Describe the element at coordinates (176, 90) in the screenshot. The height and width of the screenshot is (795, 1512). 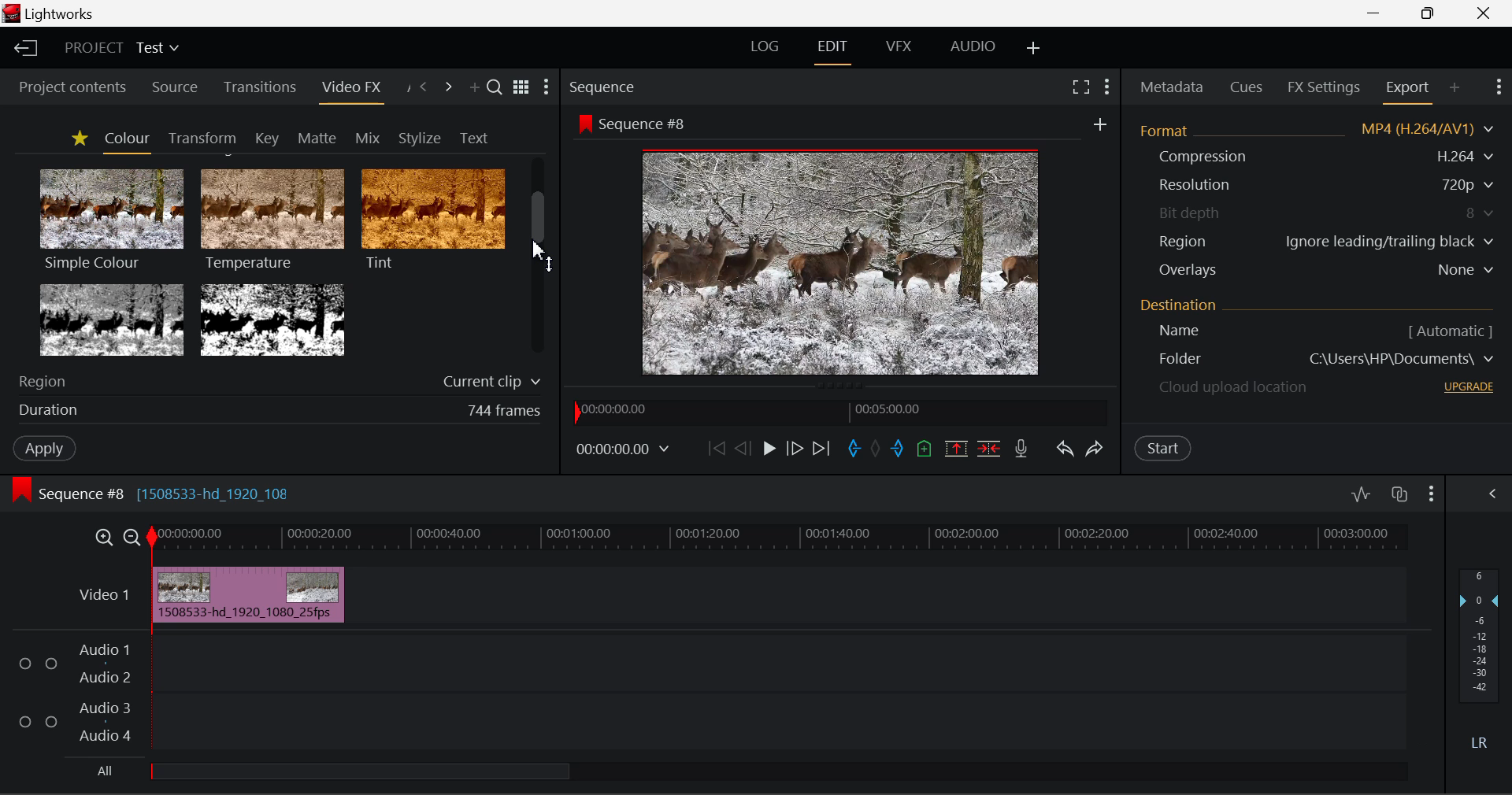
I see `Source` at that location.